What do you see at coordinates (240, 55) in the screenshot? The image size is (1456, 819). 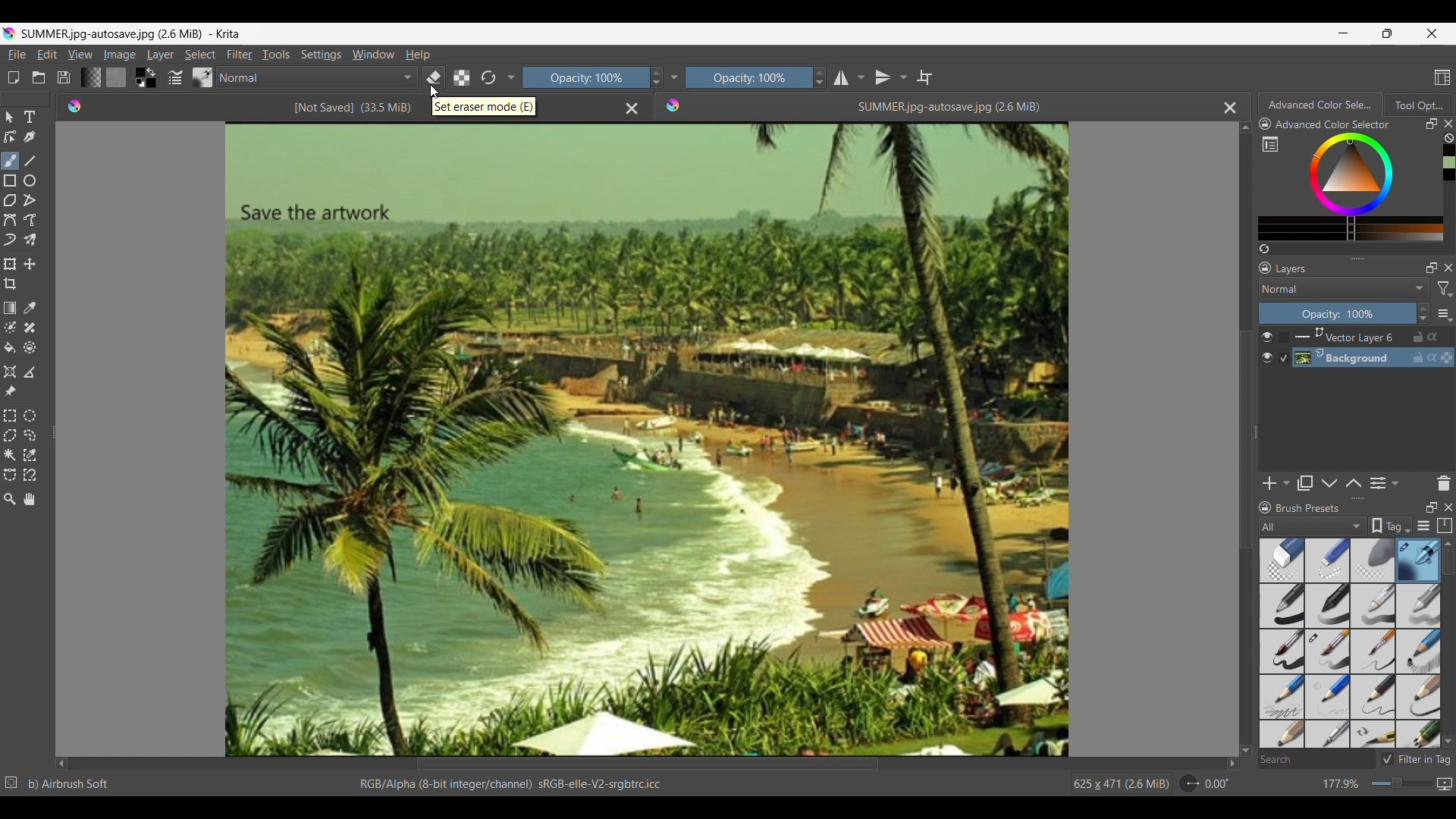 I see `Filter` at bounding box center [240, 55].